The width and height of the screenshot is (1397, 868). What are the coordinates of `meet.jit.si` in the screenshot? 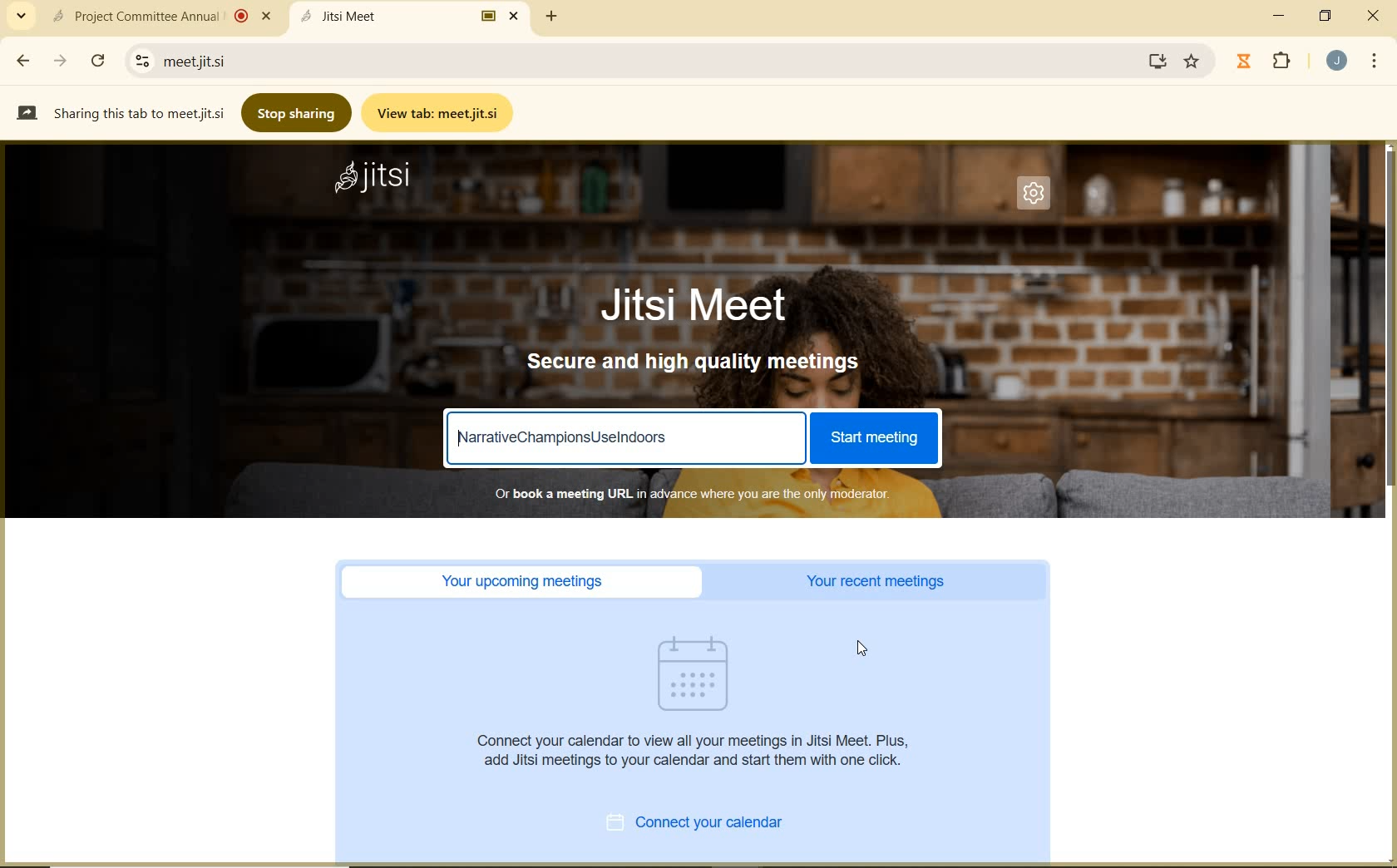 It's located at (263, 61).